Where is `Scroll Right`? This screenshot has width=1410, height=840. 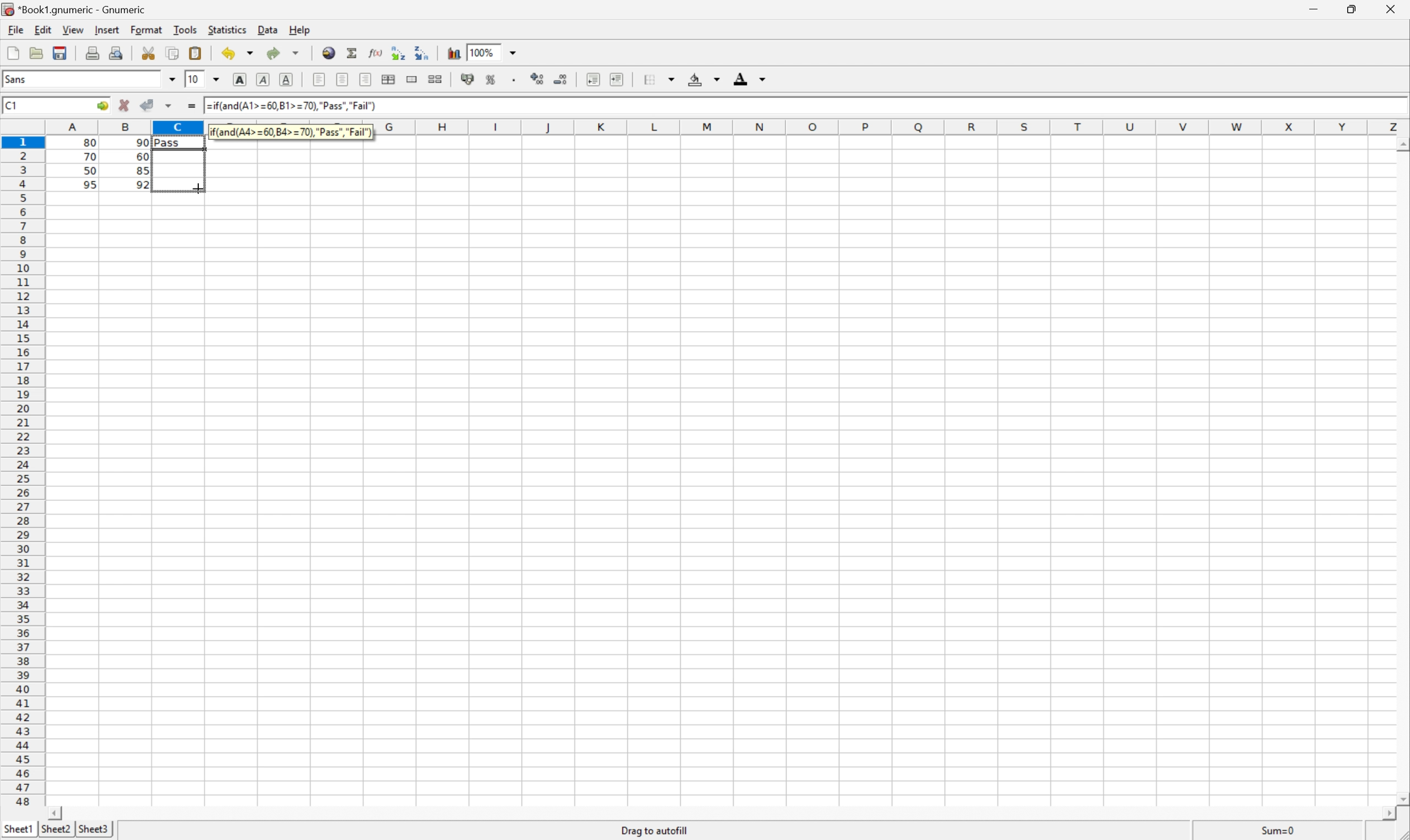
Scroll Right is located at coordinates (1385, 813).